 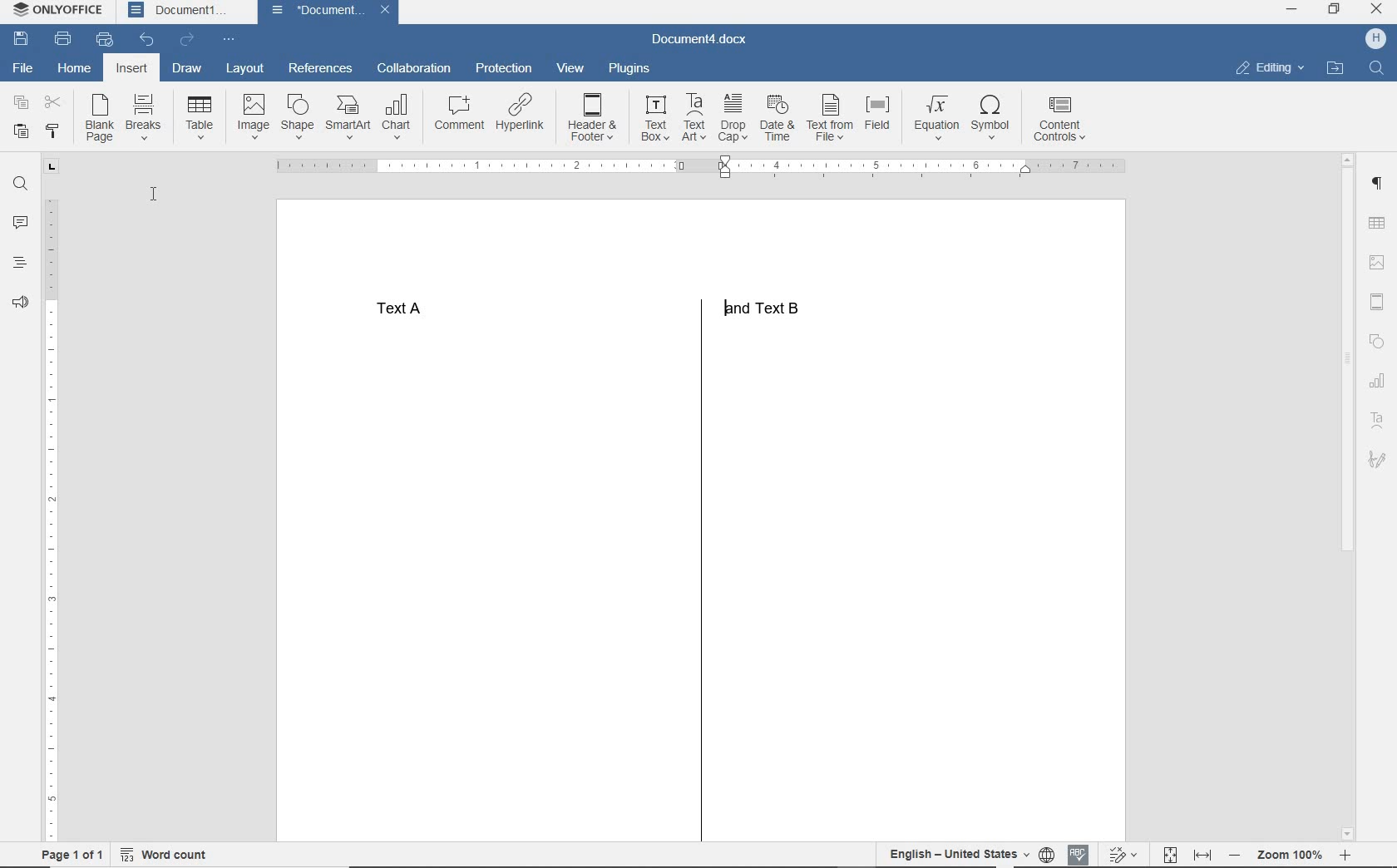 I want to click on EQUATION, so click(x=935, y=117).